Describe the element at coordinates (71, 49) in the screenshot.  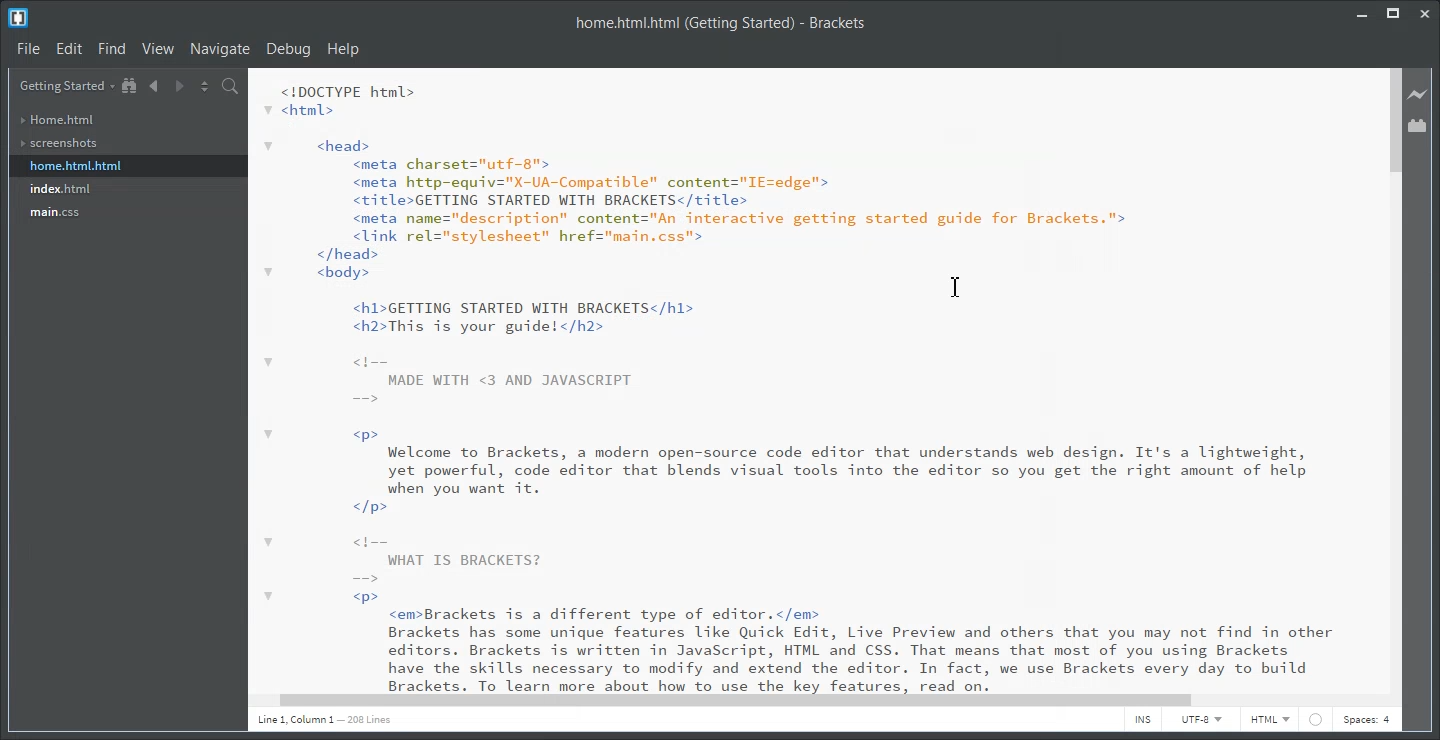
I see `Edit` at that location.